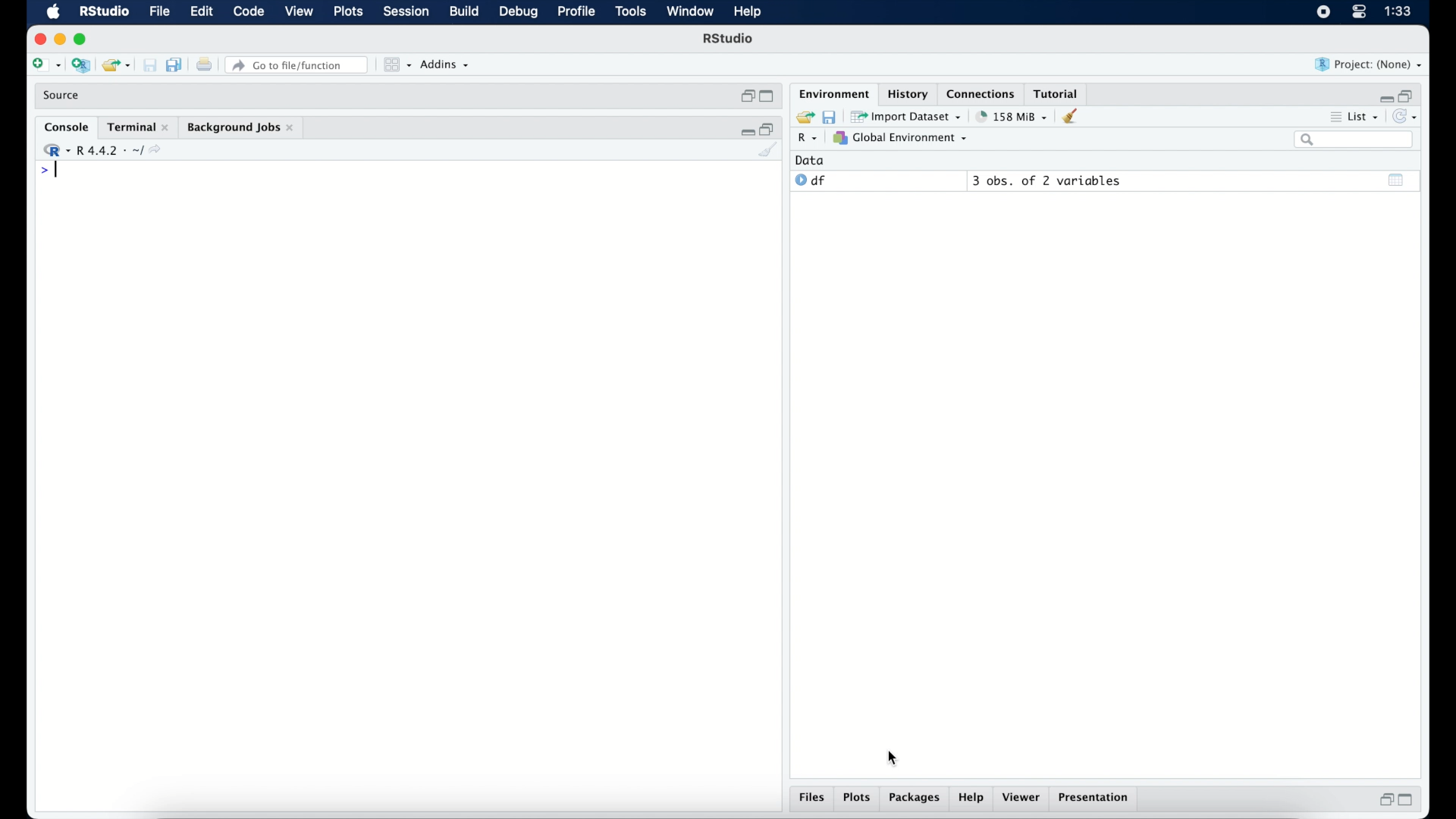 The image size is (1456, 819). What do you see at coordinates (770, 129) in the screenshot?
I see `restore down` at bounding box center [770, 129].